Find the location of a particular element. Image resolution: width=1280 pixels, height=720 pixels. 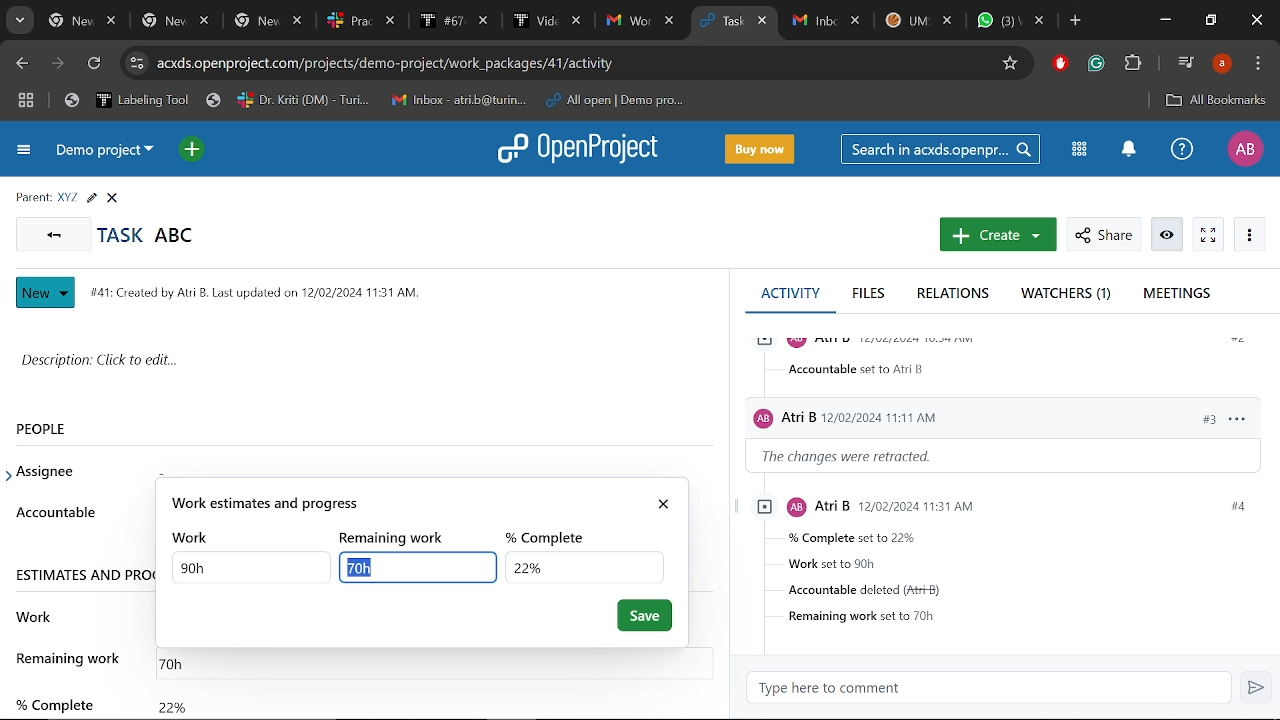

Current projrct is located at coordinates (107, 154).